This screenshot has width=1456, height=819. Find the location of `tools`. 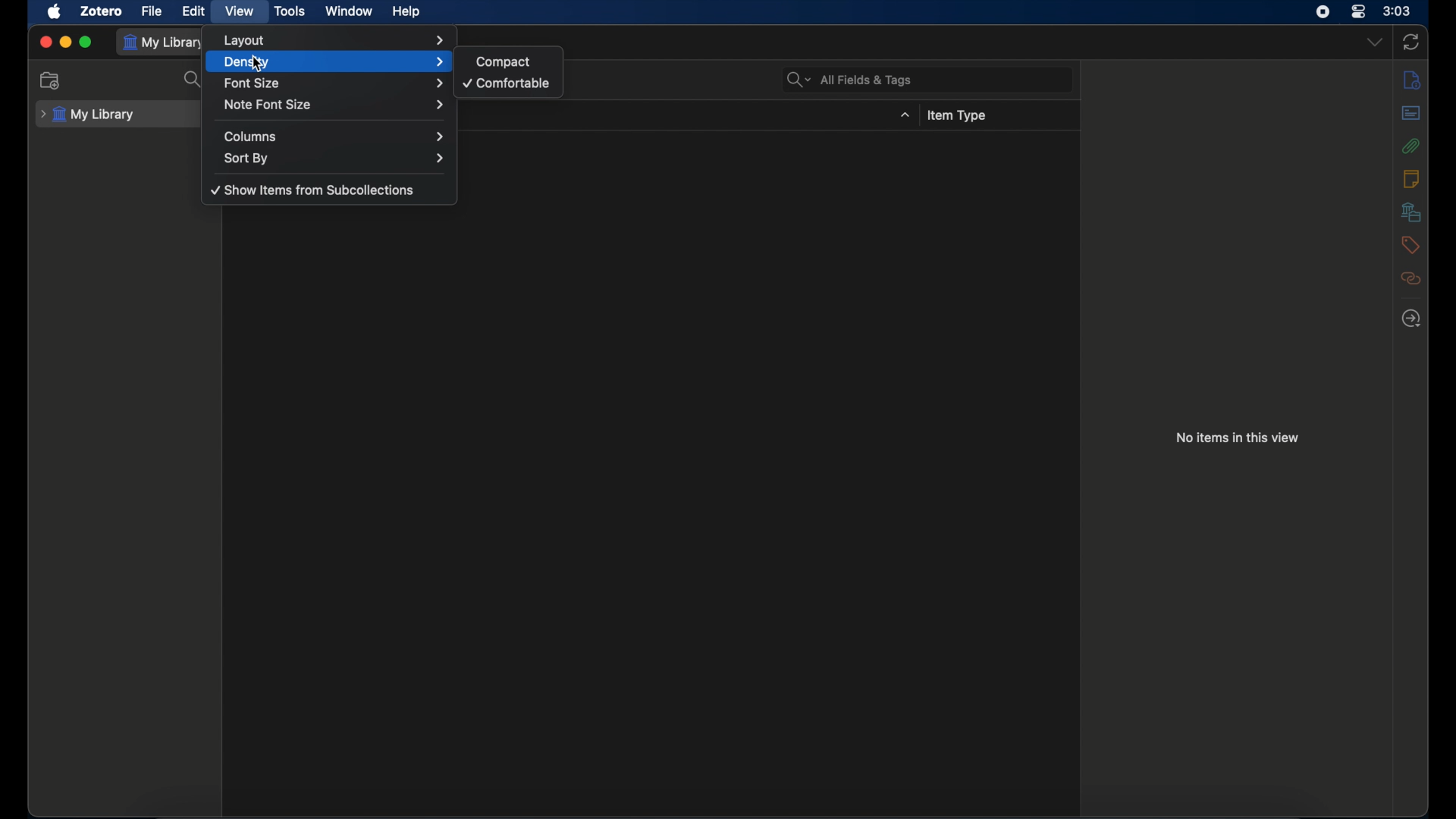

tools is located at coordinates (290, 11).